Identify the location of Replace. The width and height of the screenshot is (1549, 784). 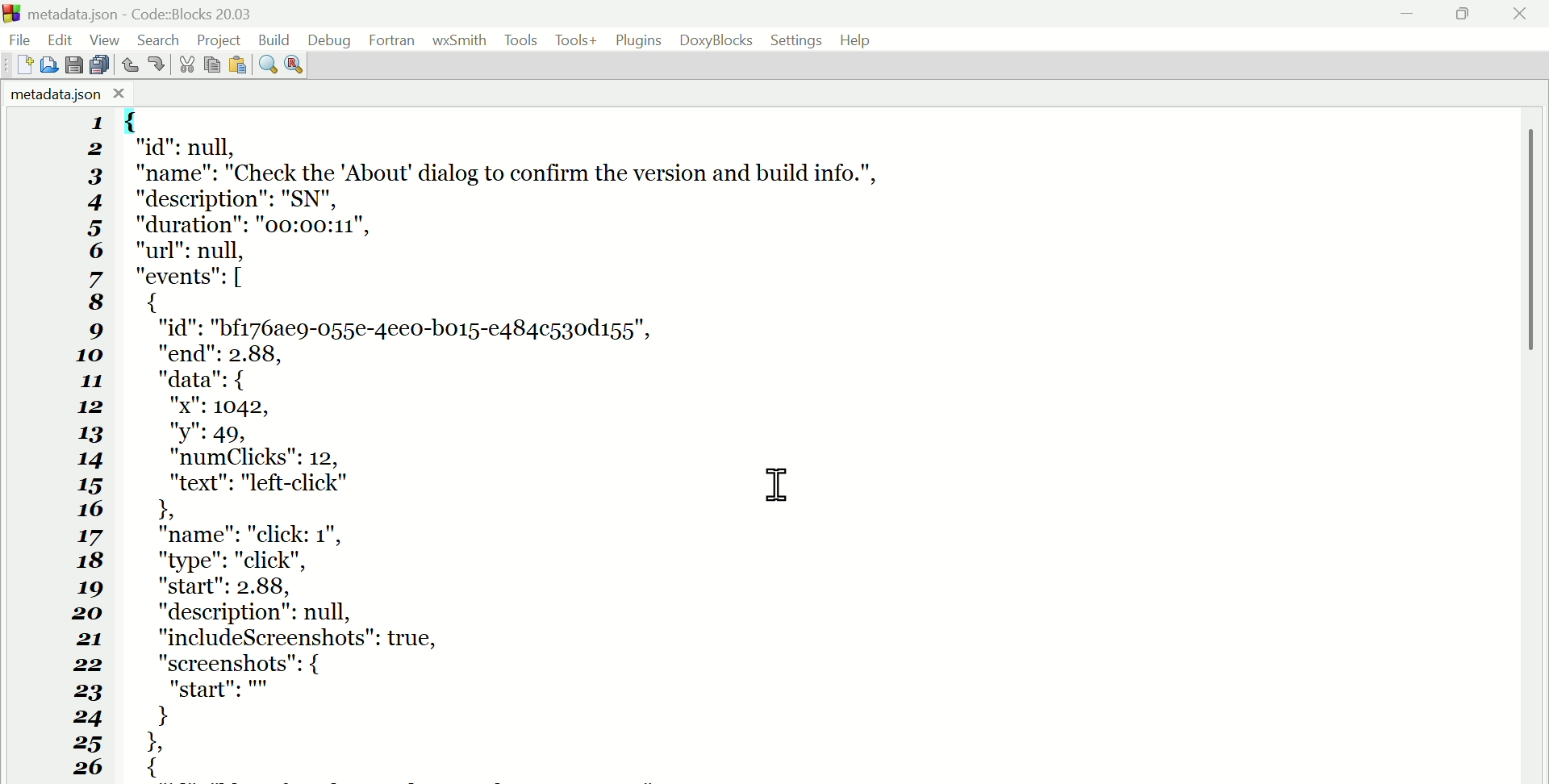
(294, 63).